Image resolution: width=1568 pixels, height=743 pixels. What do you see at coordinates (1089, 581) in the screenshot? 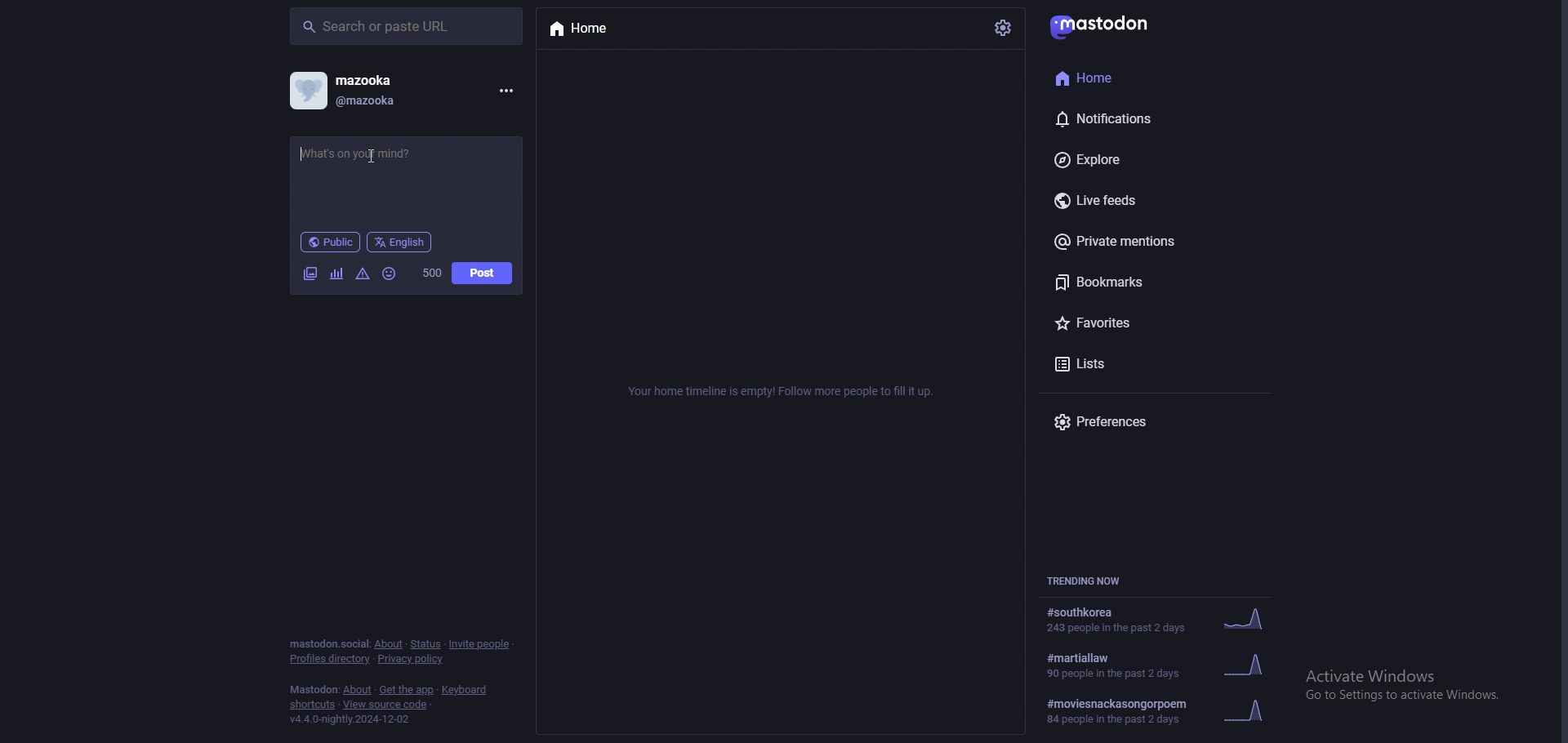
I see `trending now` at bounding box center [1089, 581].